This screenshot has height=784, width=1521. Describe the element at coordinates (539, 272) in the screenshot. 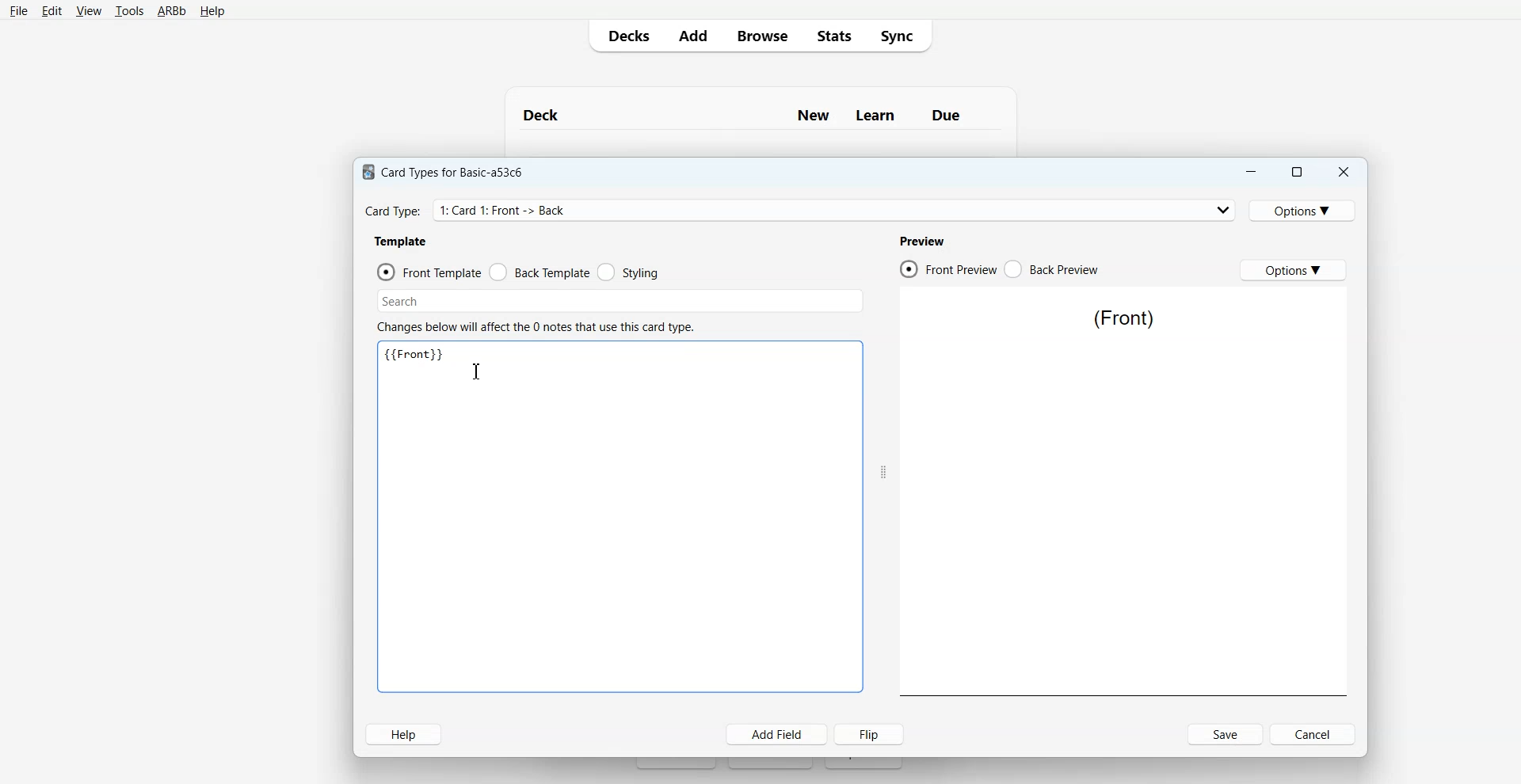

I see `Back Template` at that location.